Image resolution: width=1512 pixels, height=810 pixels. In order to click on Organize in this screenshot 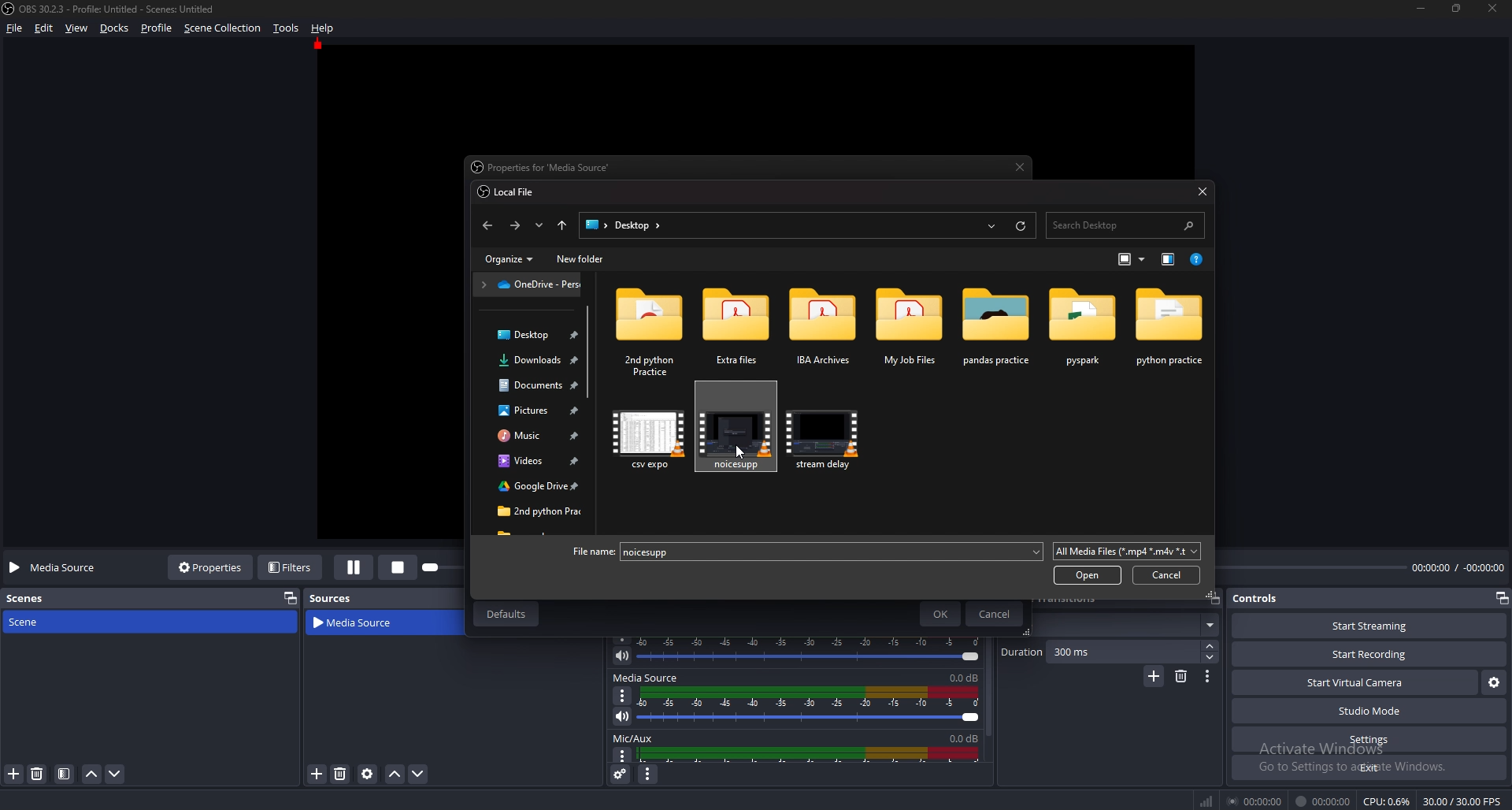, I will do `click(513, 259)`.